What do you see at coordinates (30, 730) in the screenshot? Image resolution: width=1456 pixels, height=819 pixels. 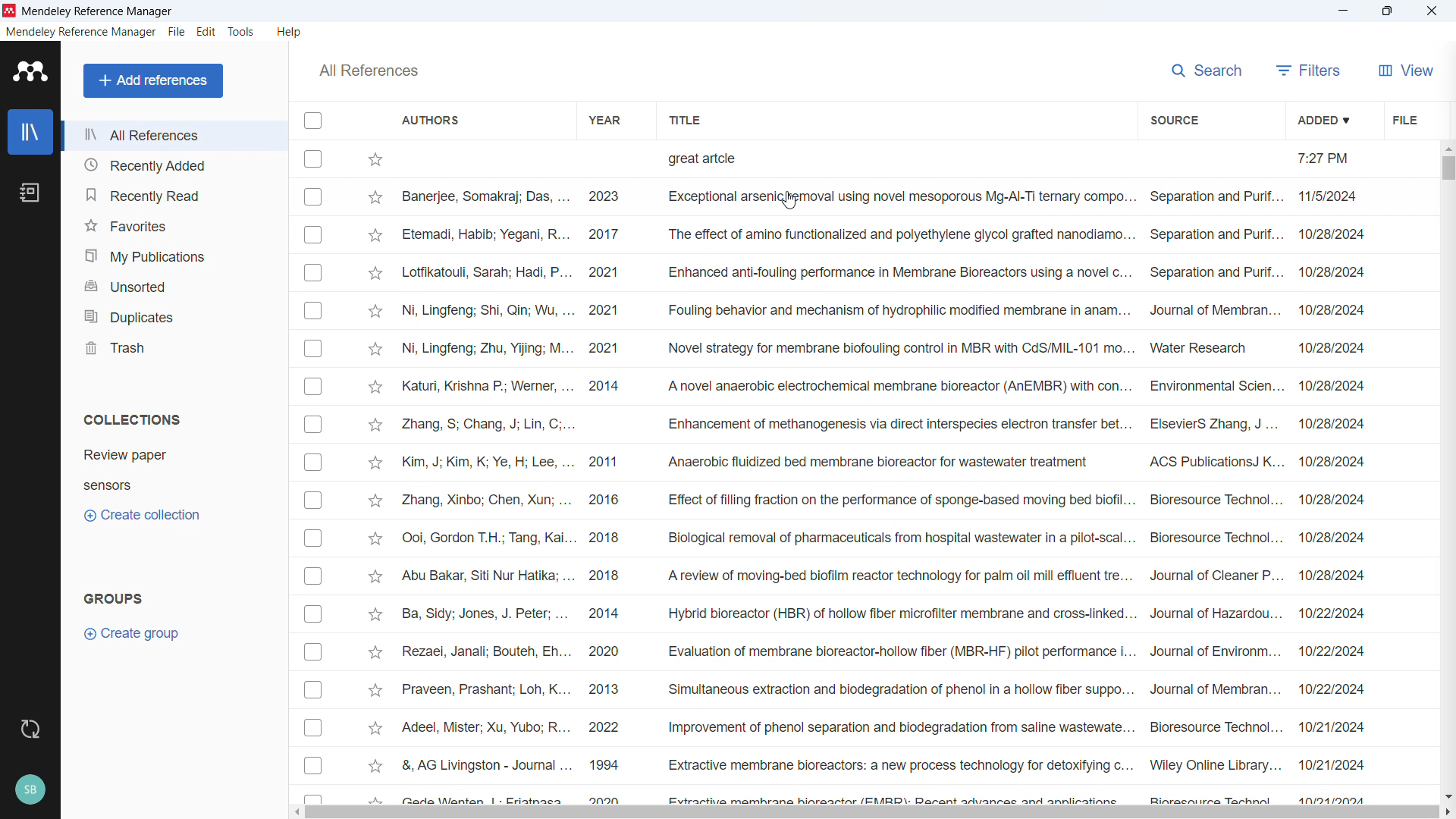 I see `` at bounding box center [30, 730].